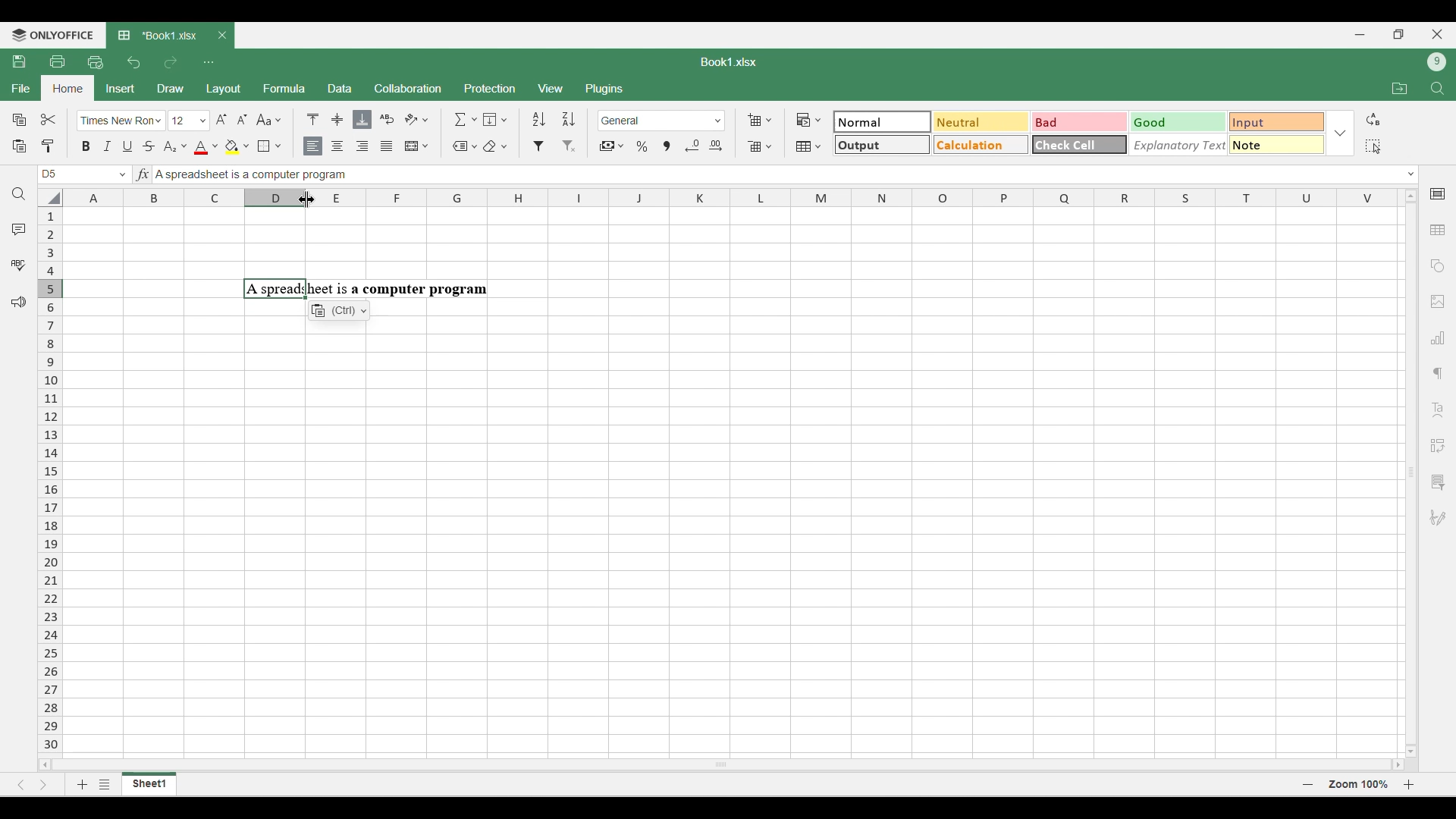  I want to click on Change cell, so click(123, 174).